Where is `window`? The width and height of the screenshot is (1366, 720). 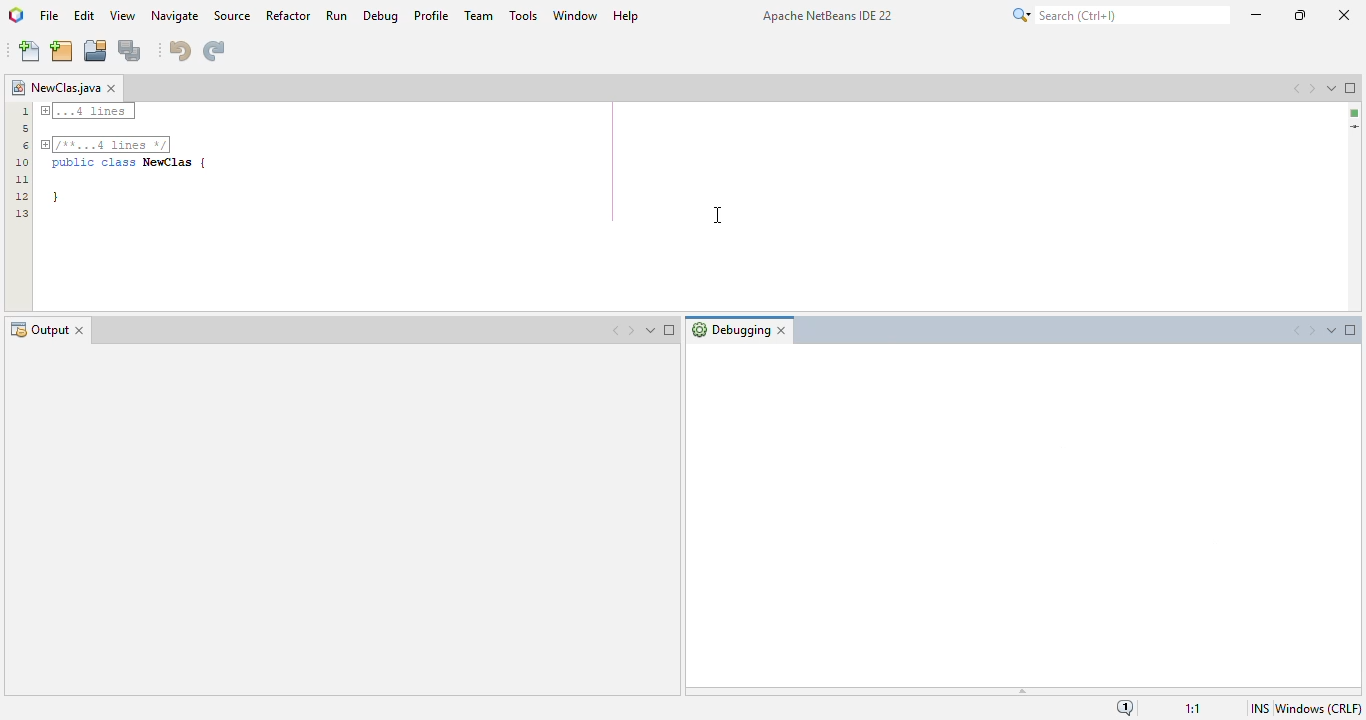 window is located at coordinates (575, 14).